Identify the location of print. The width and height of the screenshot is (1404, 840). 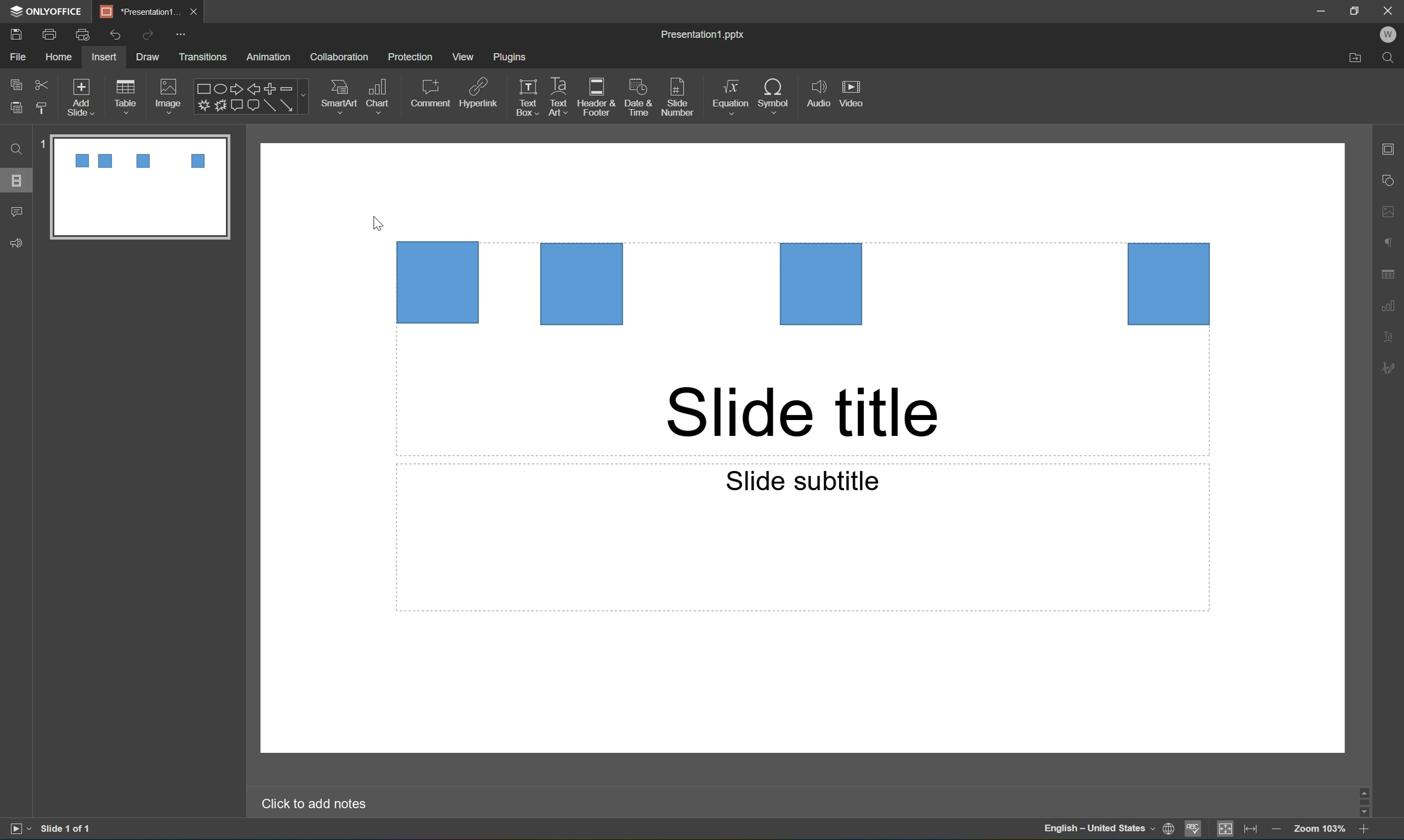
(48, 33).